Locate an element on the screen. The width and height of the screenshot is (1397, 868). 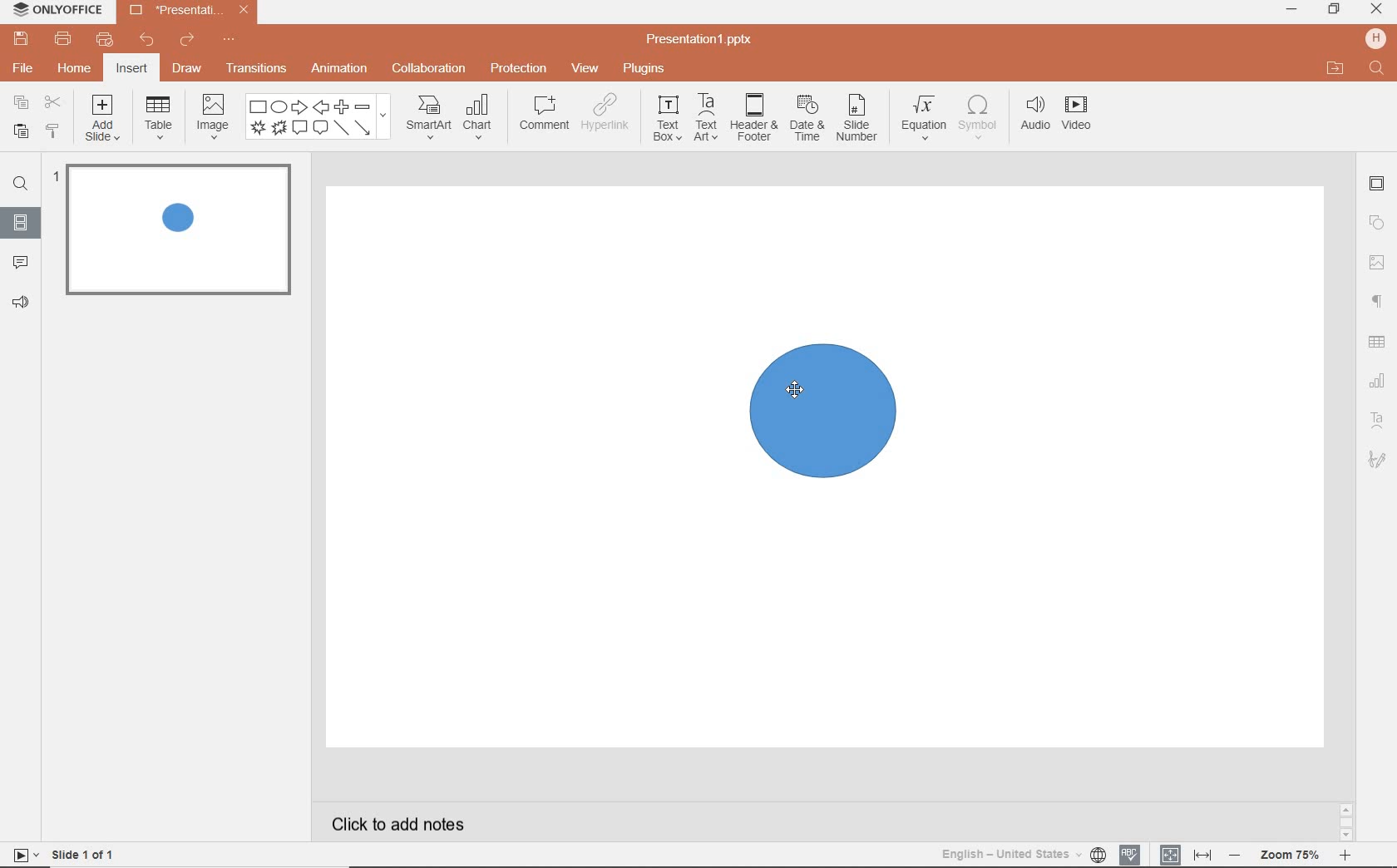
text art is located at coordinates (1378, 420).